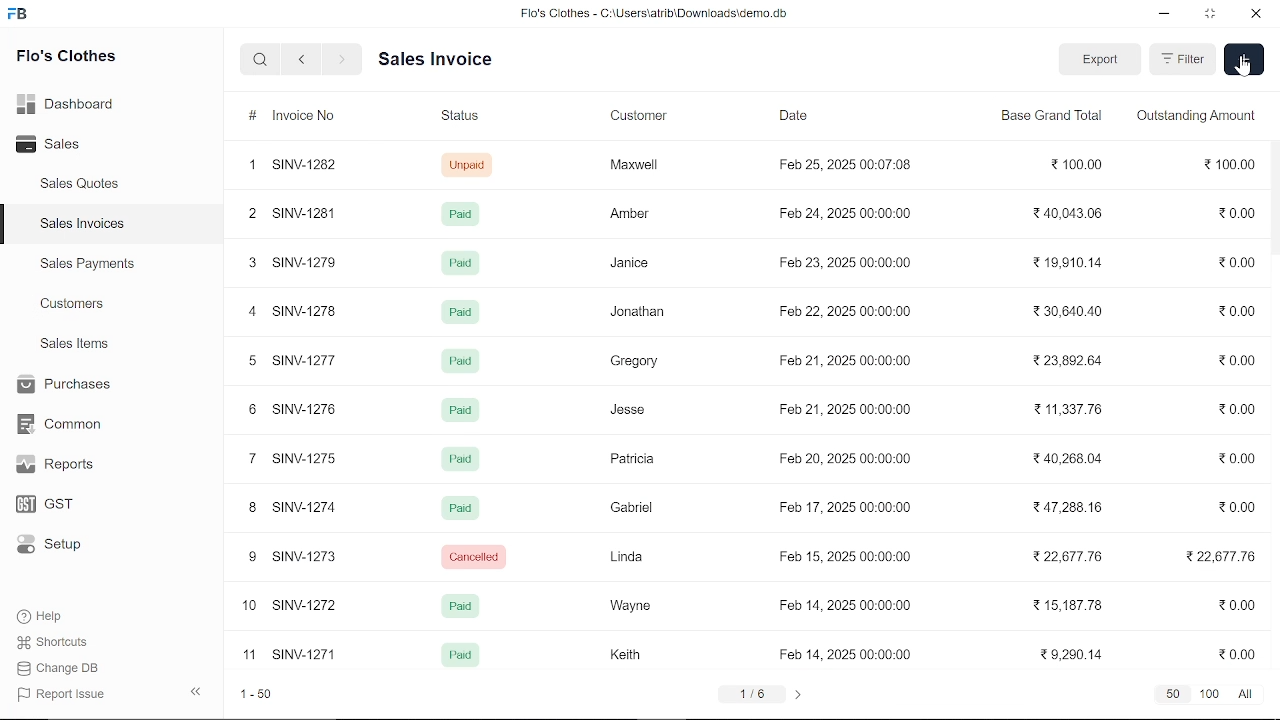 The width and height of the screenshot is (1280, 720). I want to click on Customers., so click(73, 304).